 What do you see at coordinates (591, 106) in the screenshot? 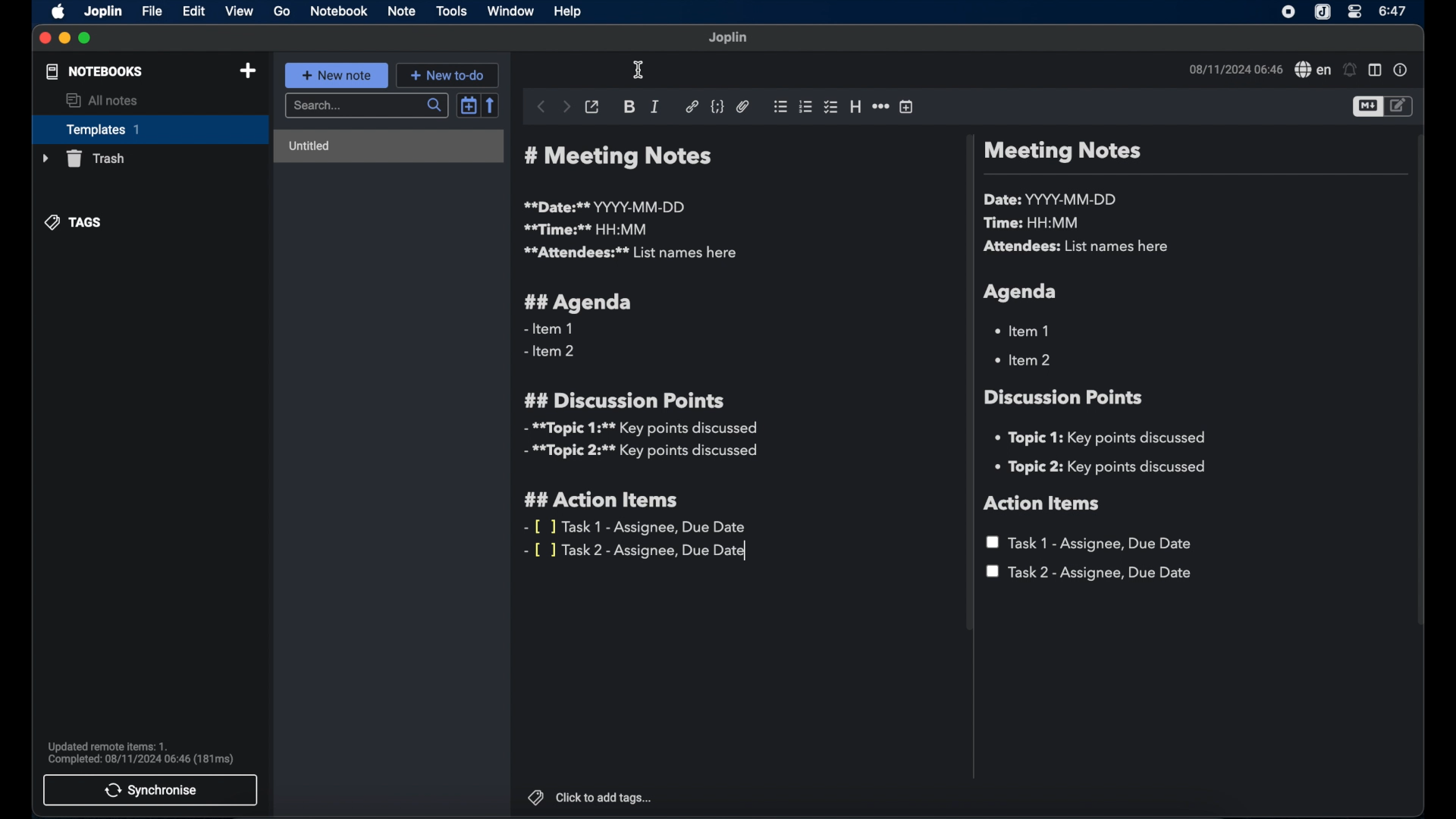
I see `toggle external editing` at bounding box center [591, 106].